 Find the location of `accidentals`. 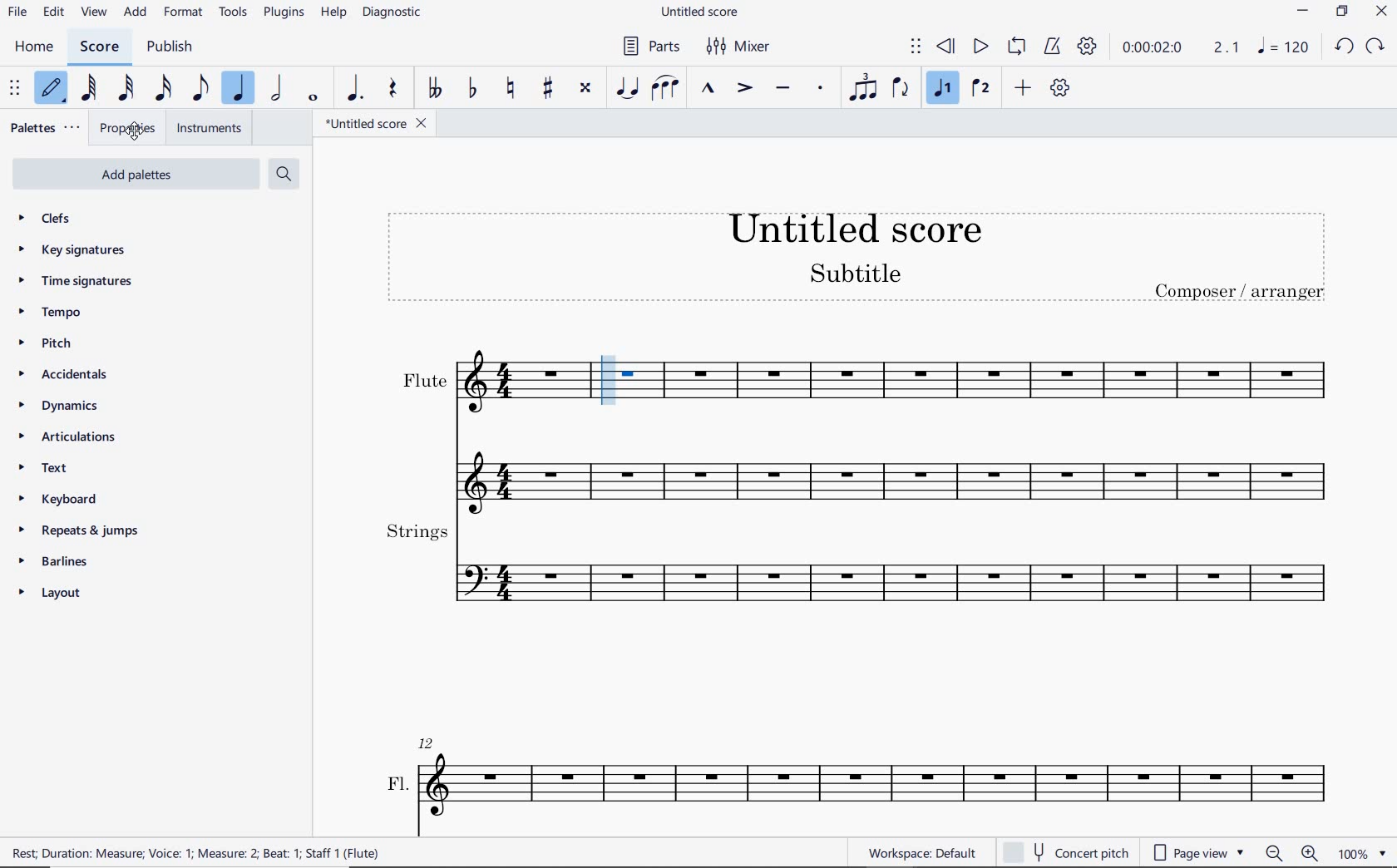

accidentals is located at coordinates (67, 374).